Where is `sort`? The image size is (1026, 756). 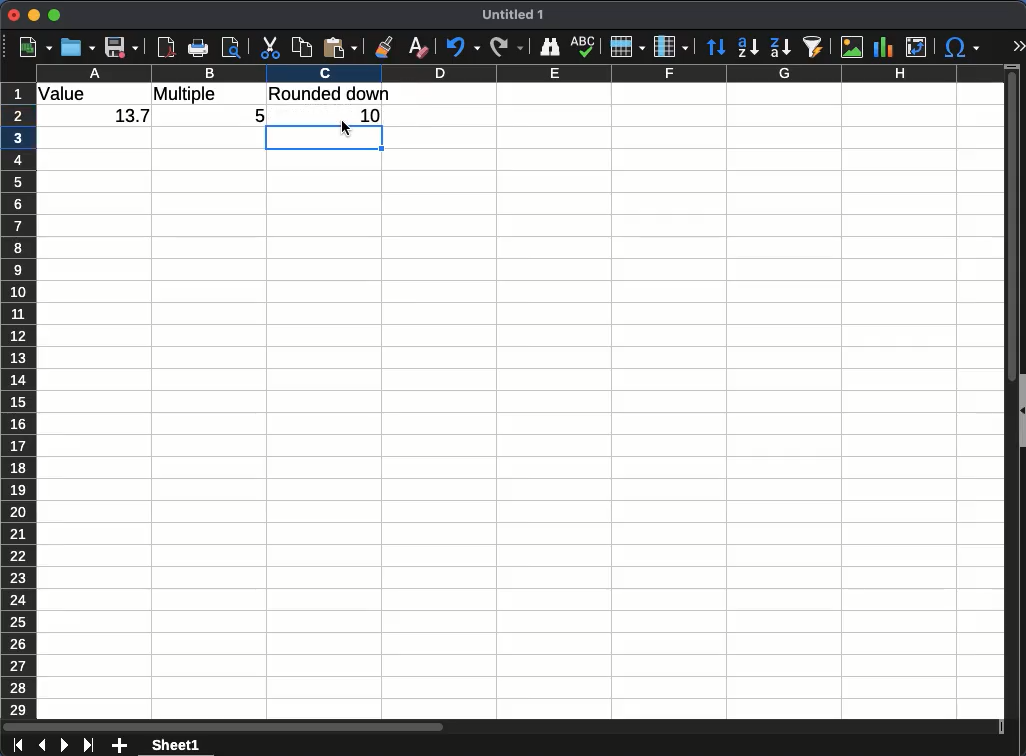 sort is located at coordinates (716, 48).